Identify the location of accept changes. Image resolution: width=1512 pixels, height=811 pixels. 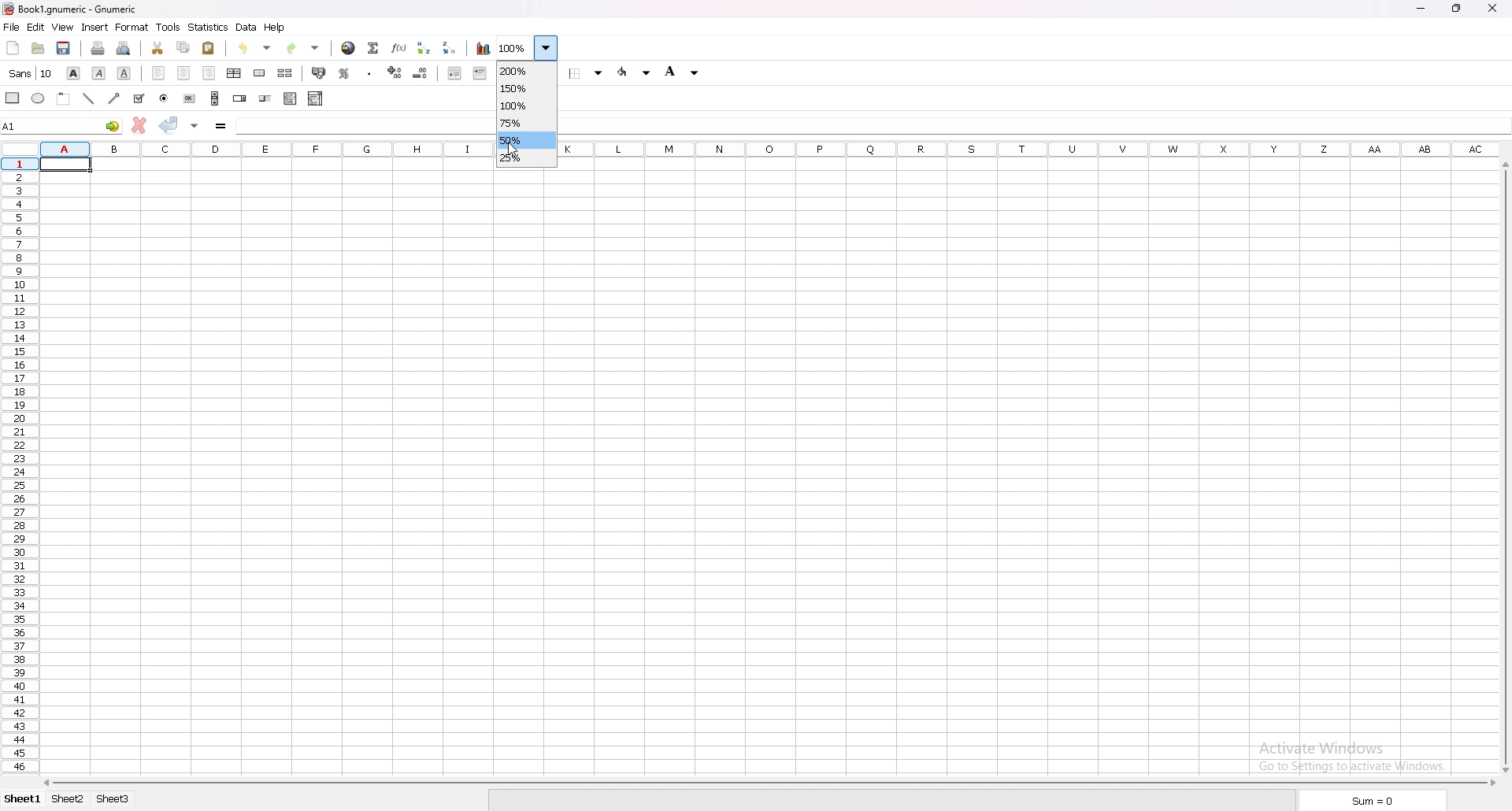
(169, 124).